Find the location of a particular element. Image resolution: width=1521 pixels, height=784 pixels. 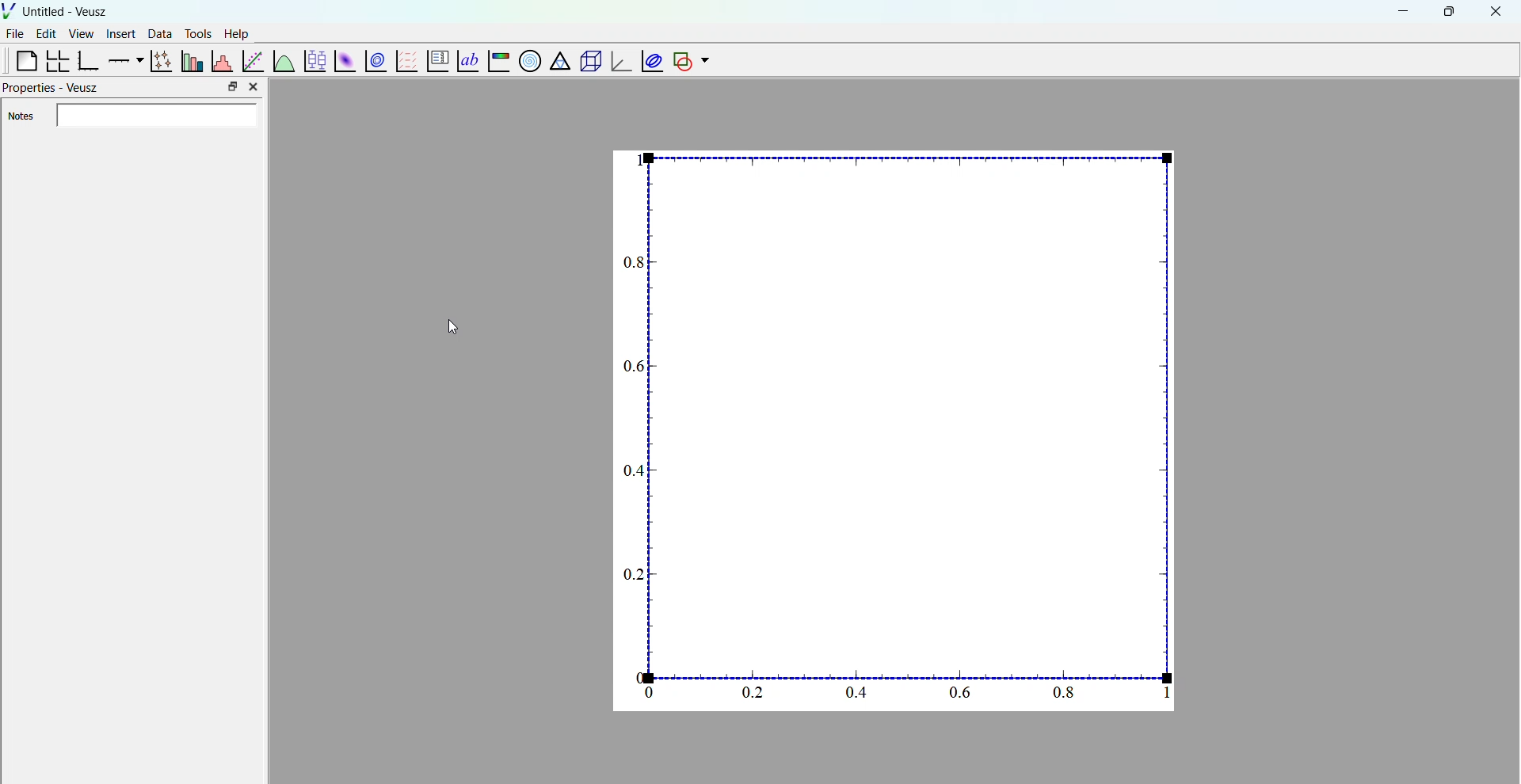

3d graph is located at coordinates (619, 63).